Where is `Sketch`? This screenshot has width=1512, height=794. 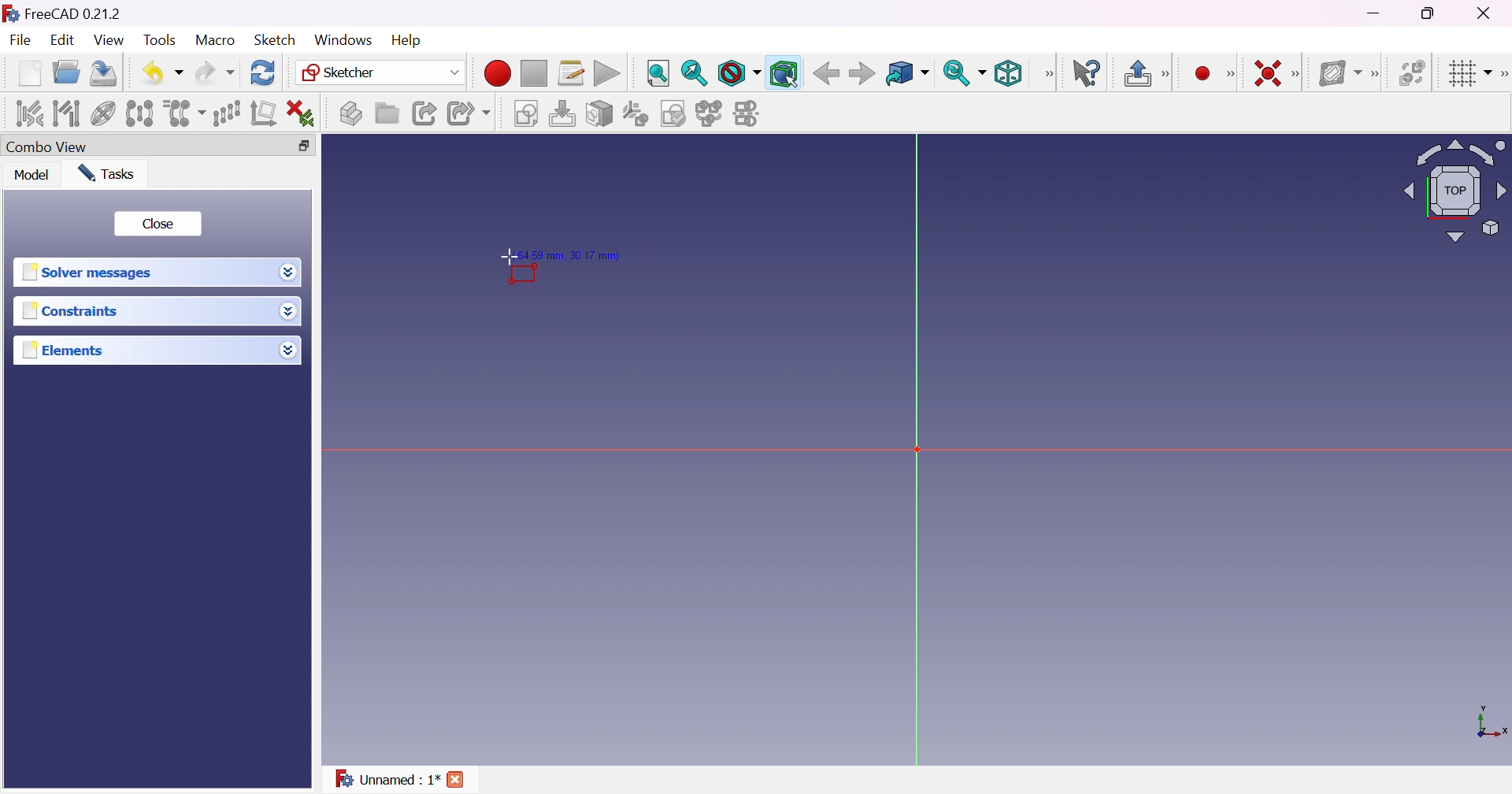
Sketch is located at coordinates (276, 40).